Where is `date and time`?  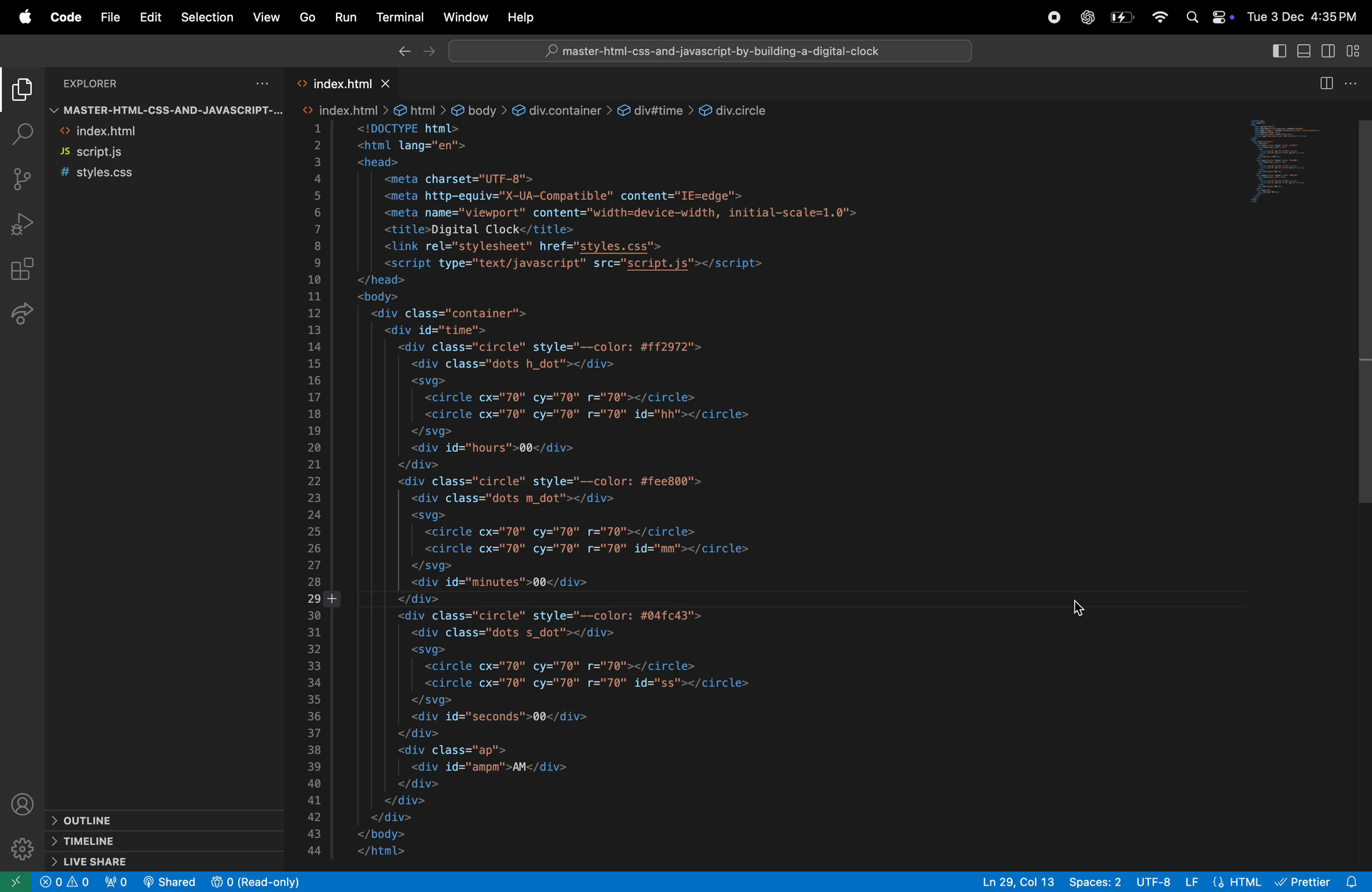
date and time is located at coordinates (1305, 16).